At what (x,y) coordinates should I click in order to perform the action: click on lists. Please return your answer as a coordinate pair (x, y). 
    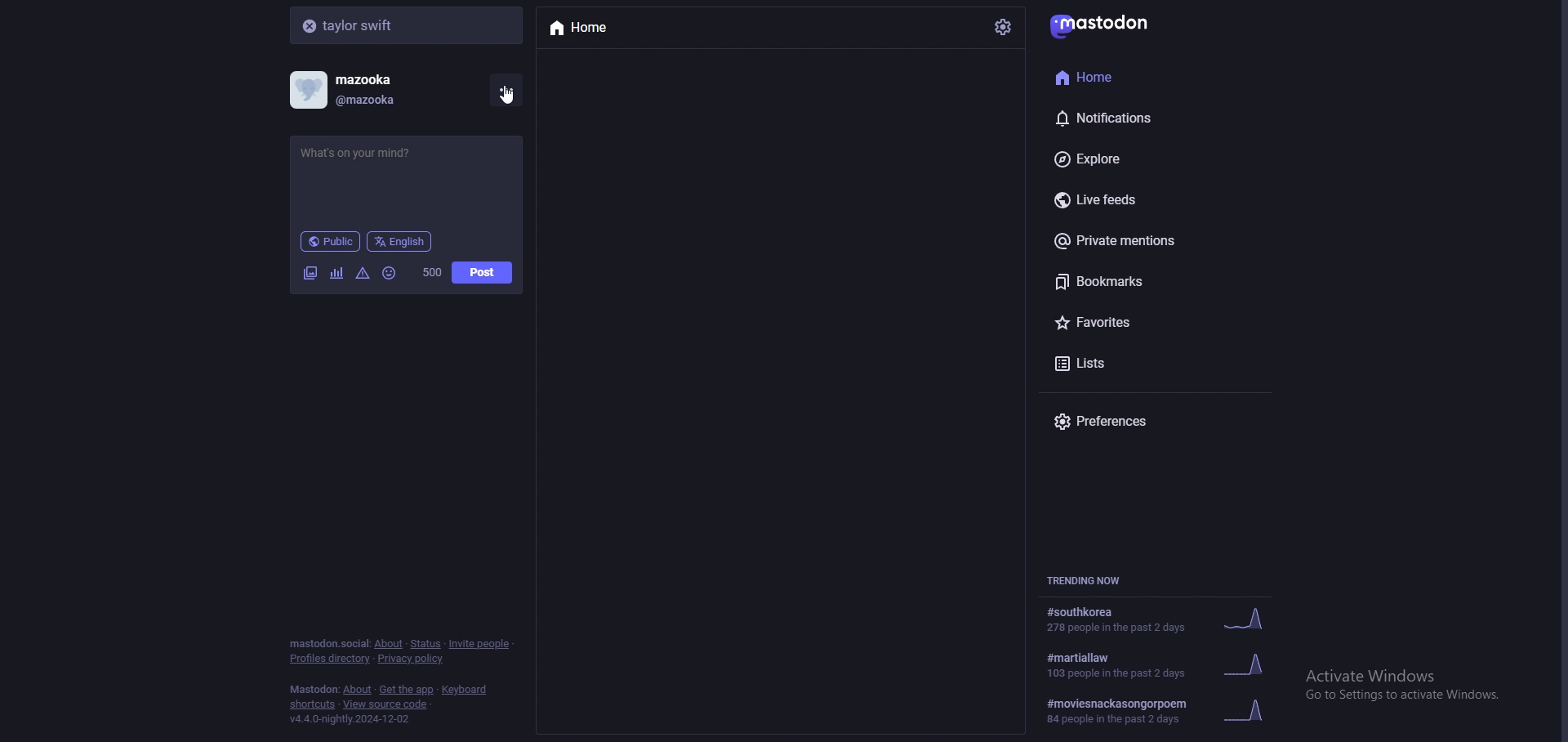
    Looking at the image, I should click on (1147, 364).